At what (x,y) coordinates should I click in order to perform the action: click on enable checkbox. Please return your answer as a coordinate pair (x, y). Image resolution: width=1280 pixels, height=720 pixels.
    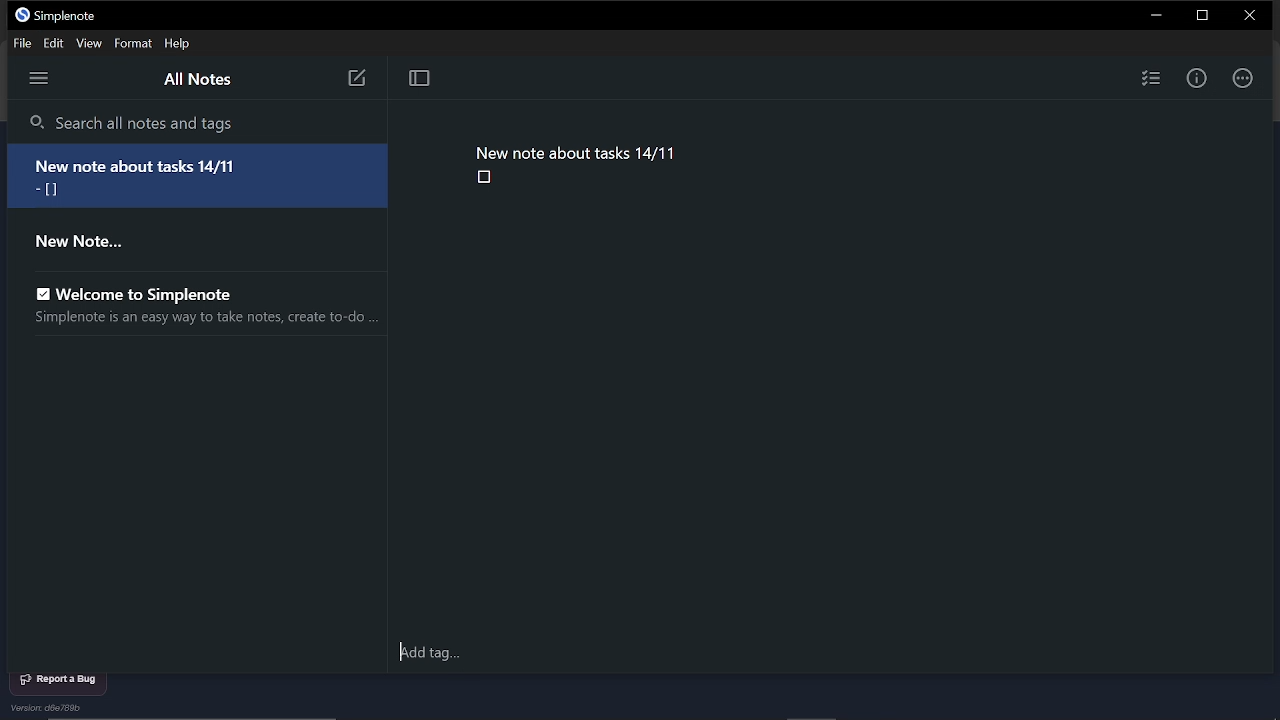
    Looking at the image, I should click on (37, 289).